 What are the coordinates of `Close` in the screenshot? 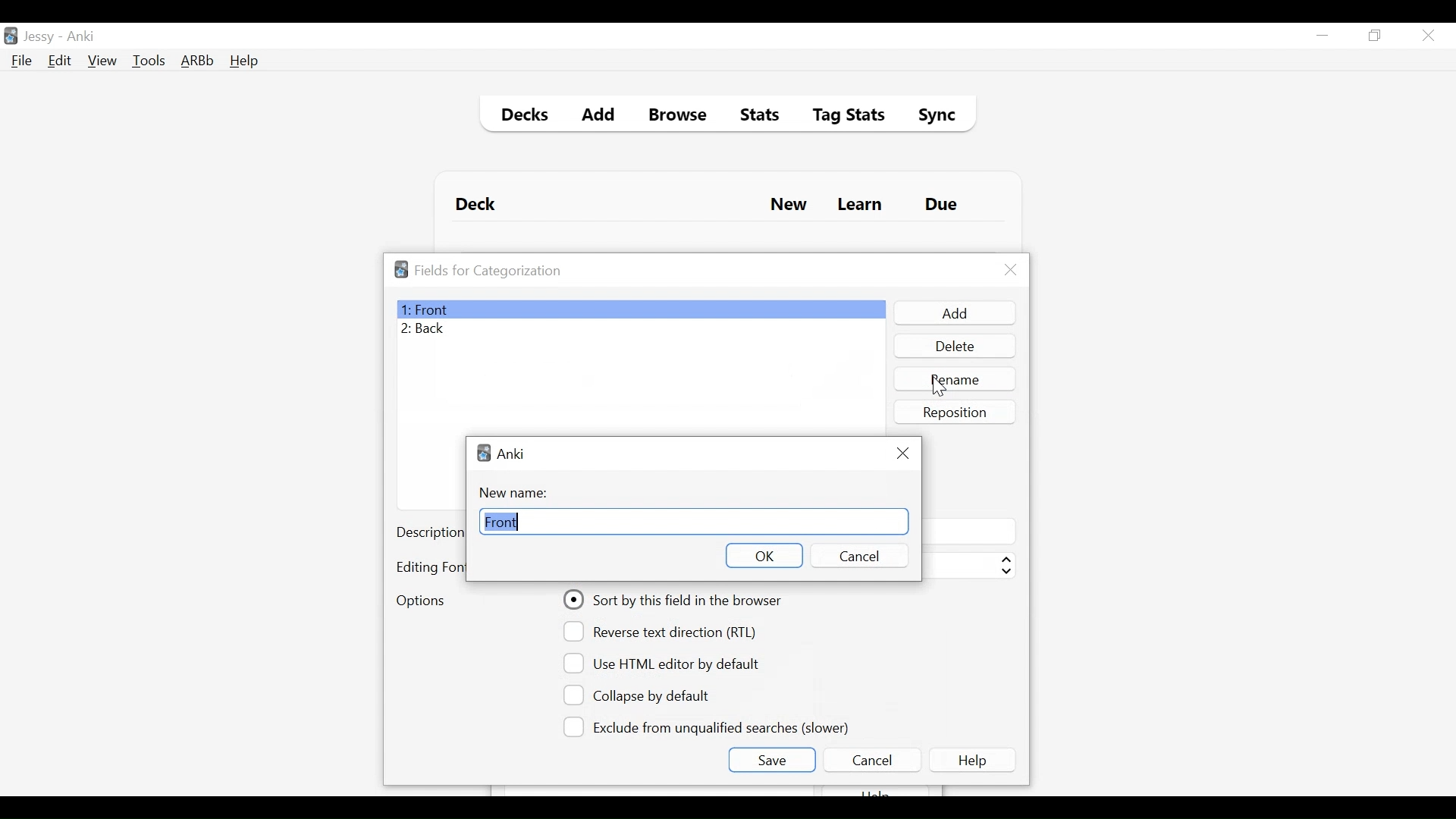 It's located at (904, 451).